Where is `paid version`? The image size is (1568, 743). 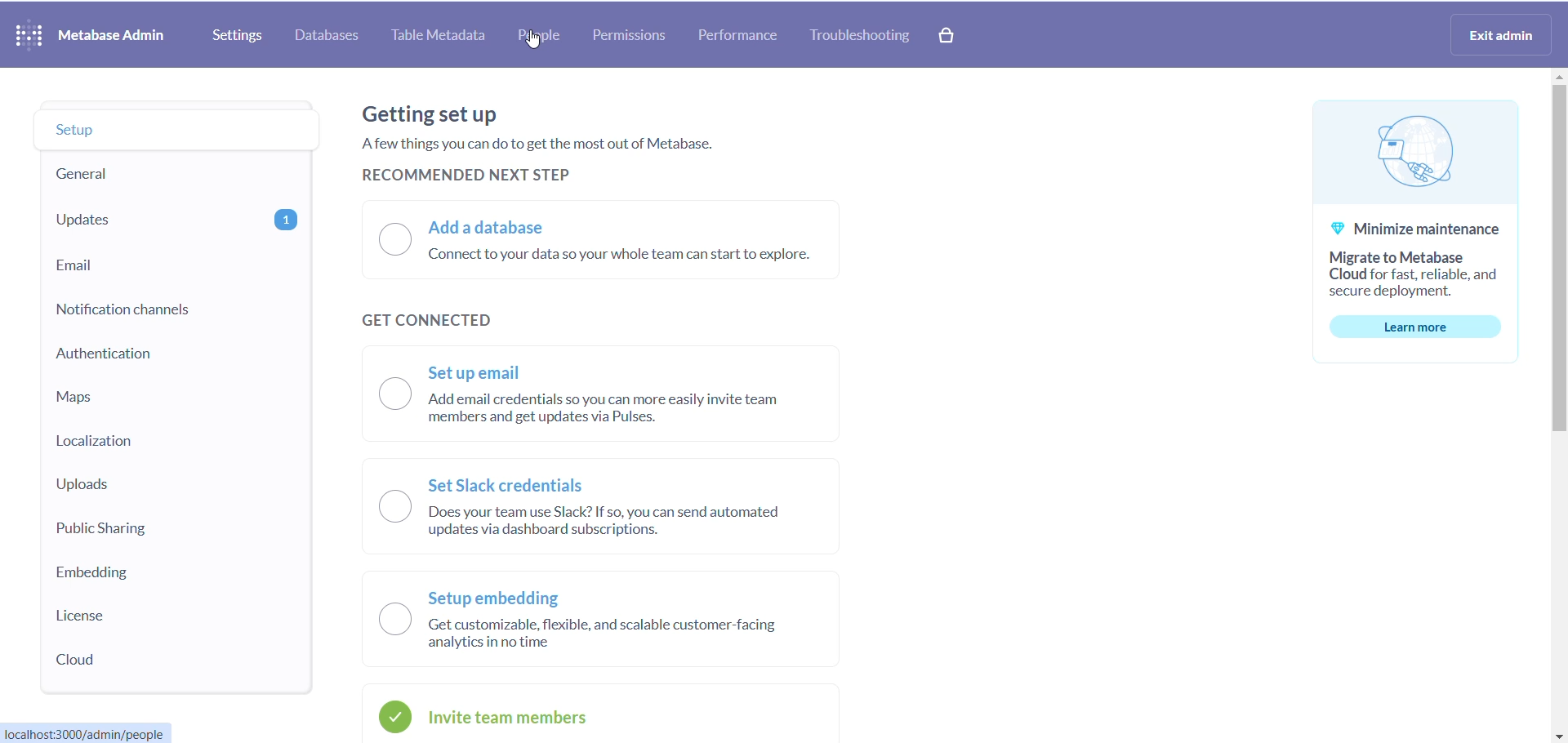 paid version is located at coordinates (949, 34).